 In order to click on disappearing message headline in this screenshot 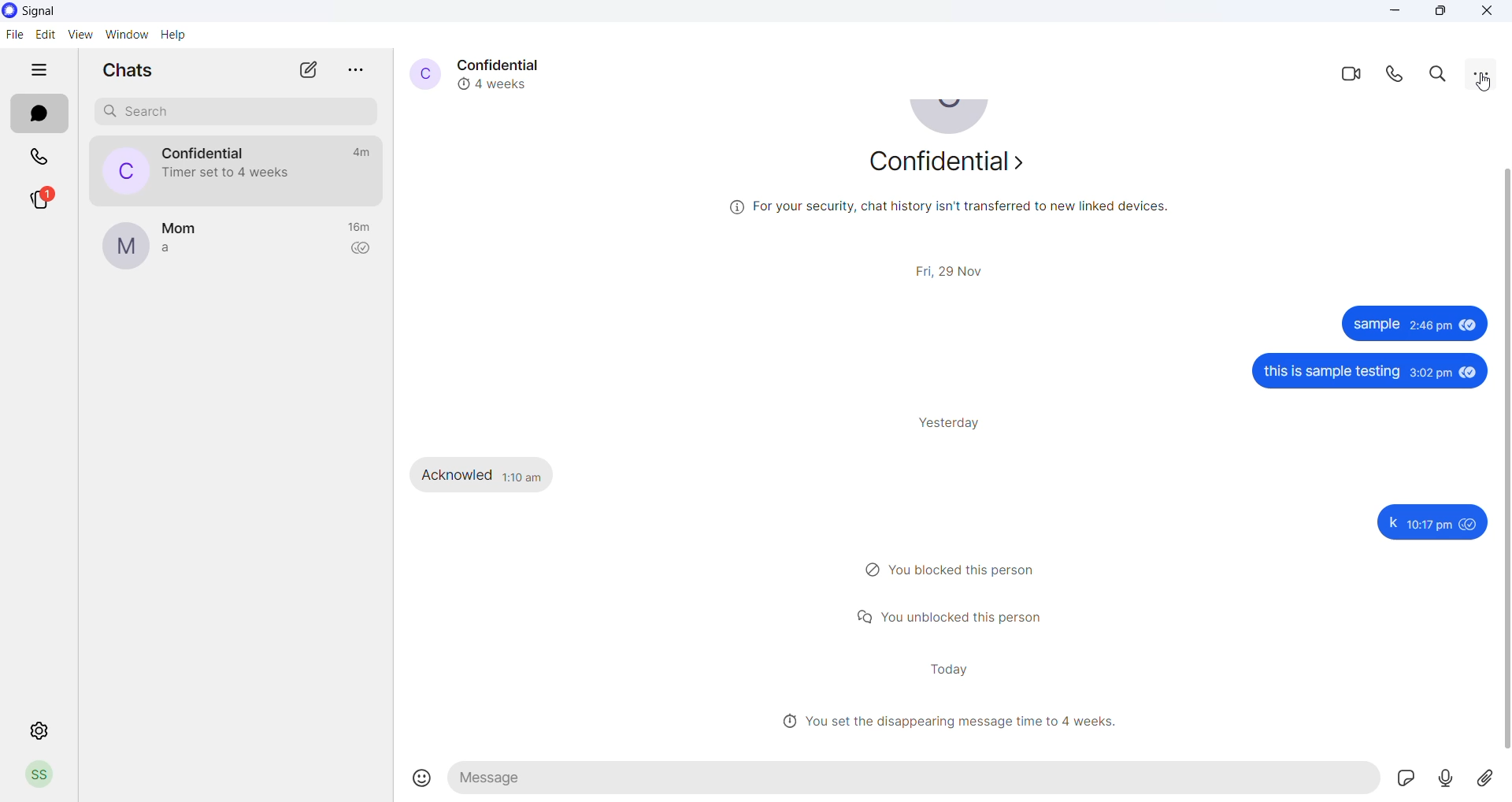, I will do `click(955, 721)`.